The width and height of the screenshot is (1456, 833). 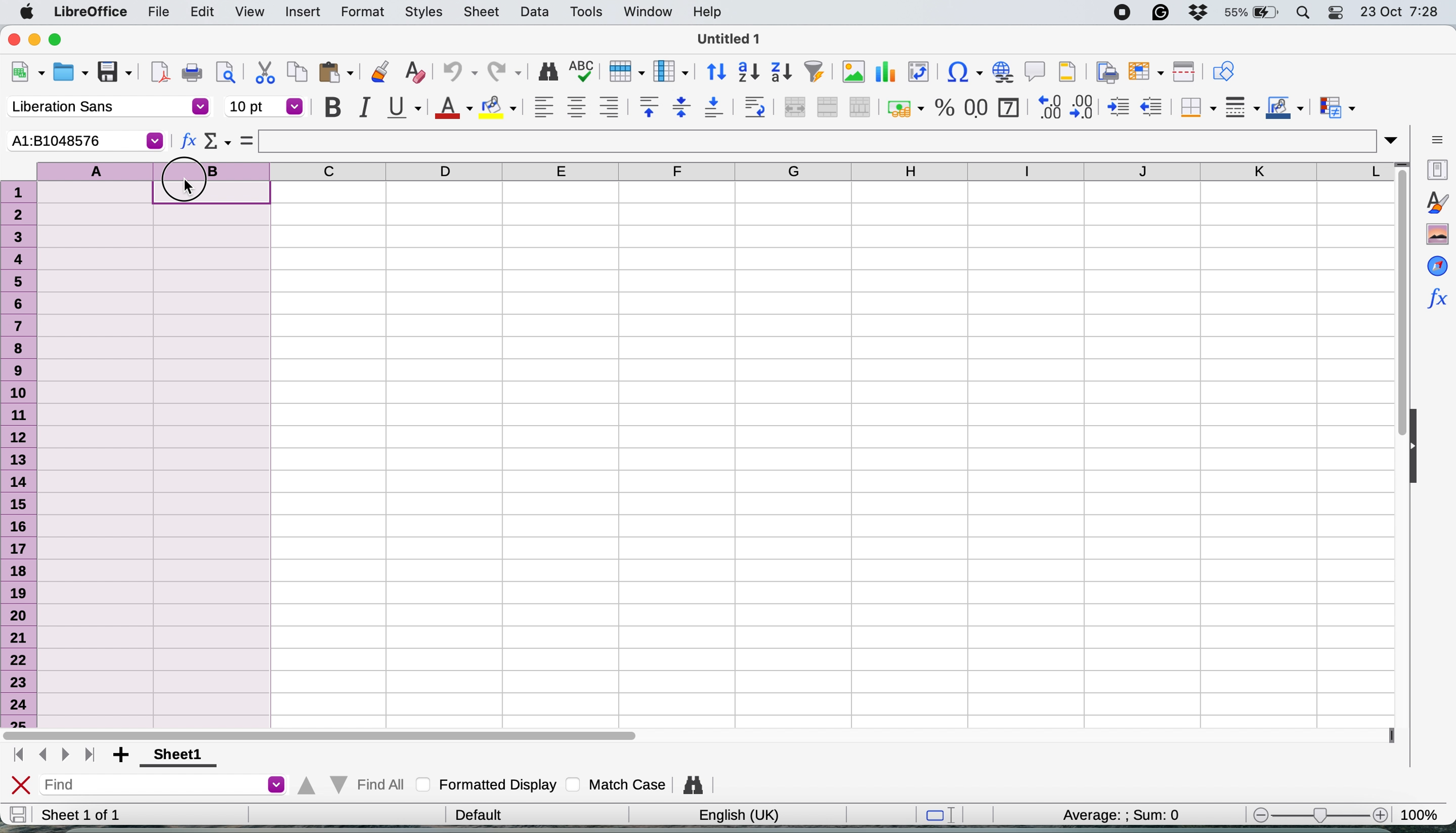 I want to click on select, so click(x=247, y=141).